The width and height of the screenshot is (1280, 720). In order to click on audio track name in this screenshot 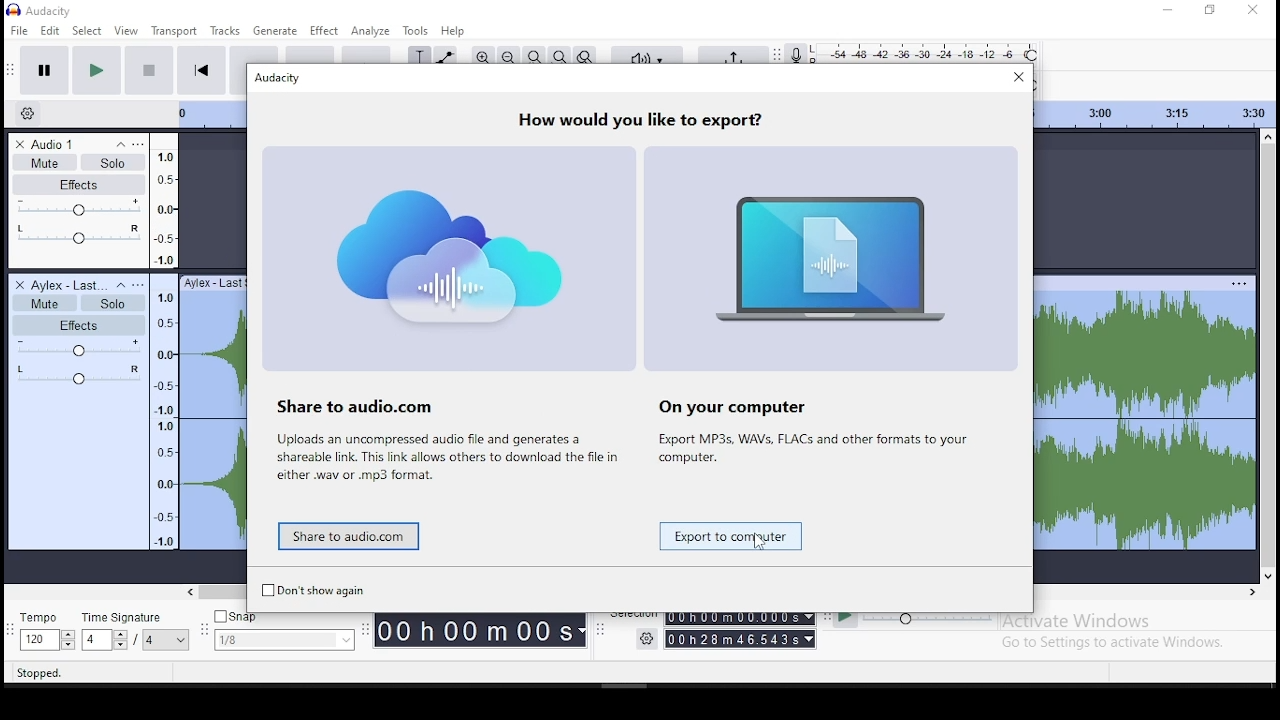, I will do `click(71, 284)`.